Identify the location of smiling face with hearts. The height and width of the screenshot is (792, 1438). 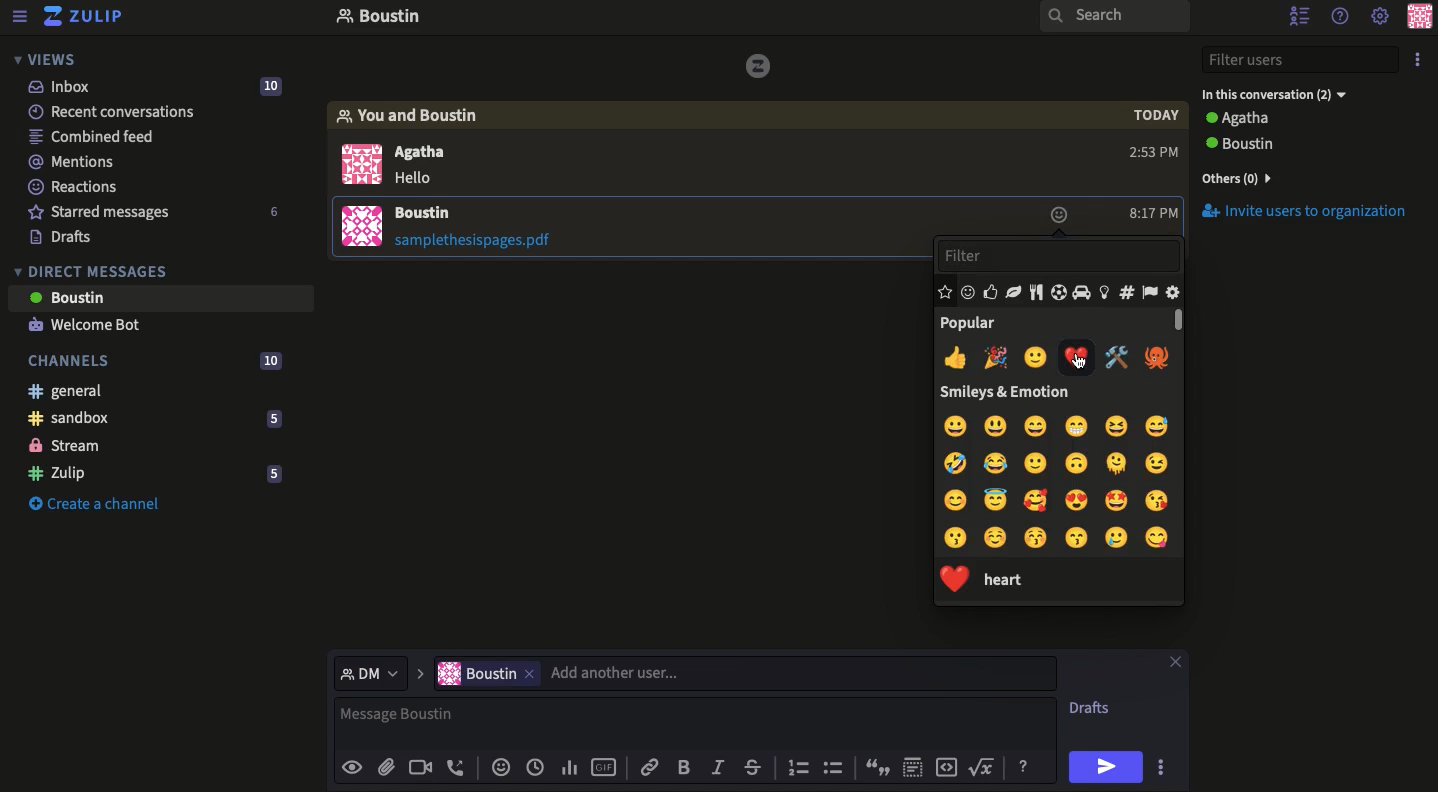
(1039, 501).